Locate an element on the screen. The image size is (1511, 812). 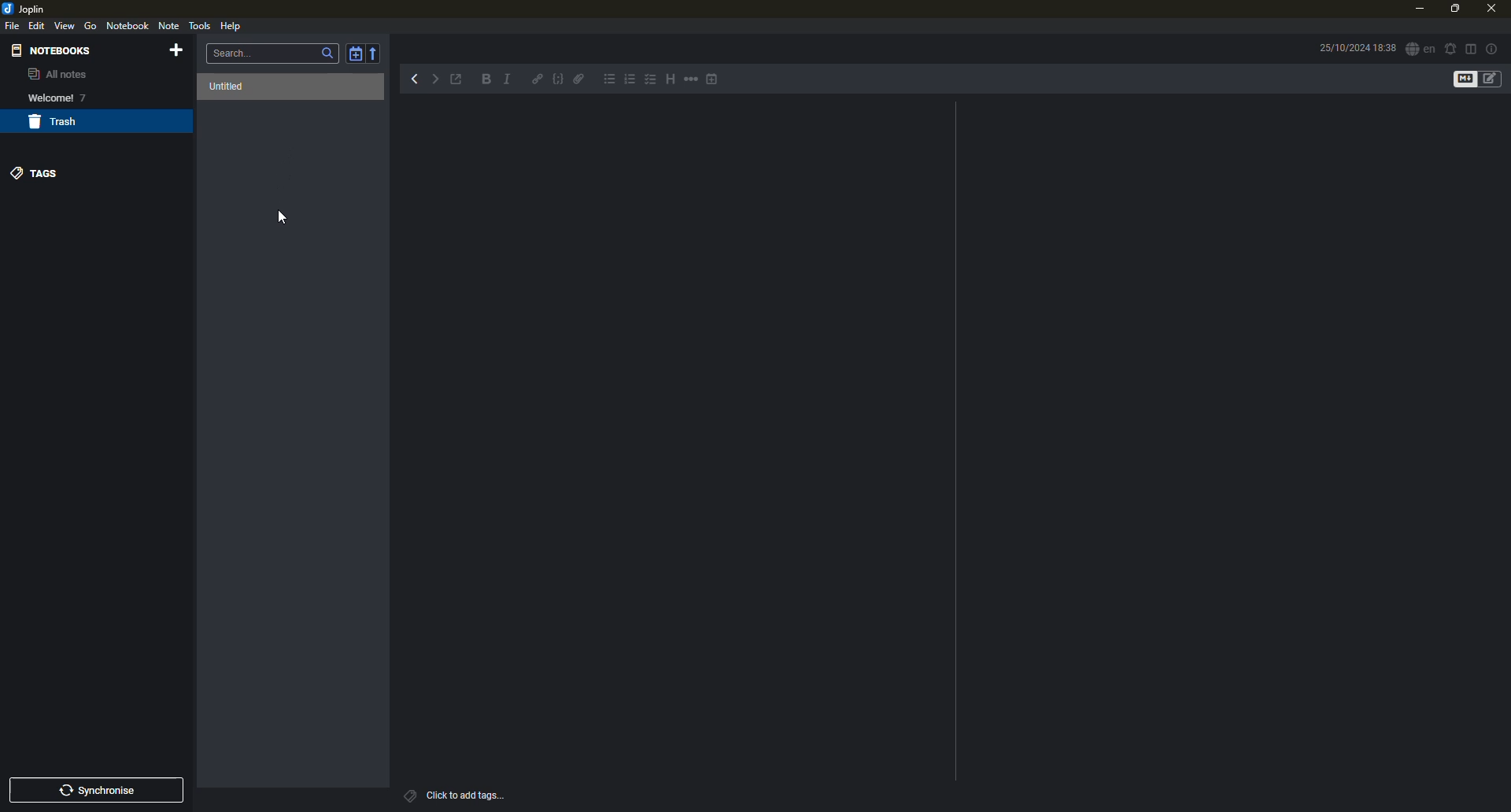
back is located at coordinates (413, 78).